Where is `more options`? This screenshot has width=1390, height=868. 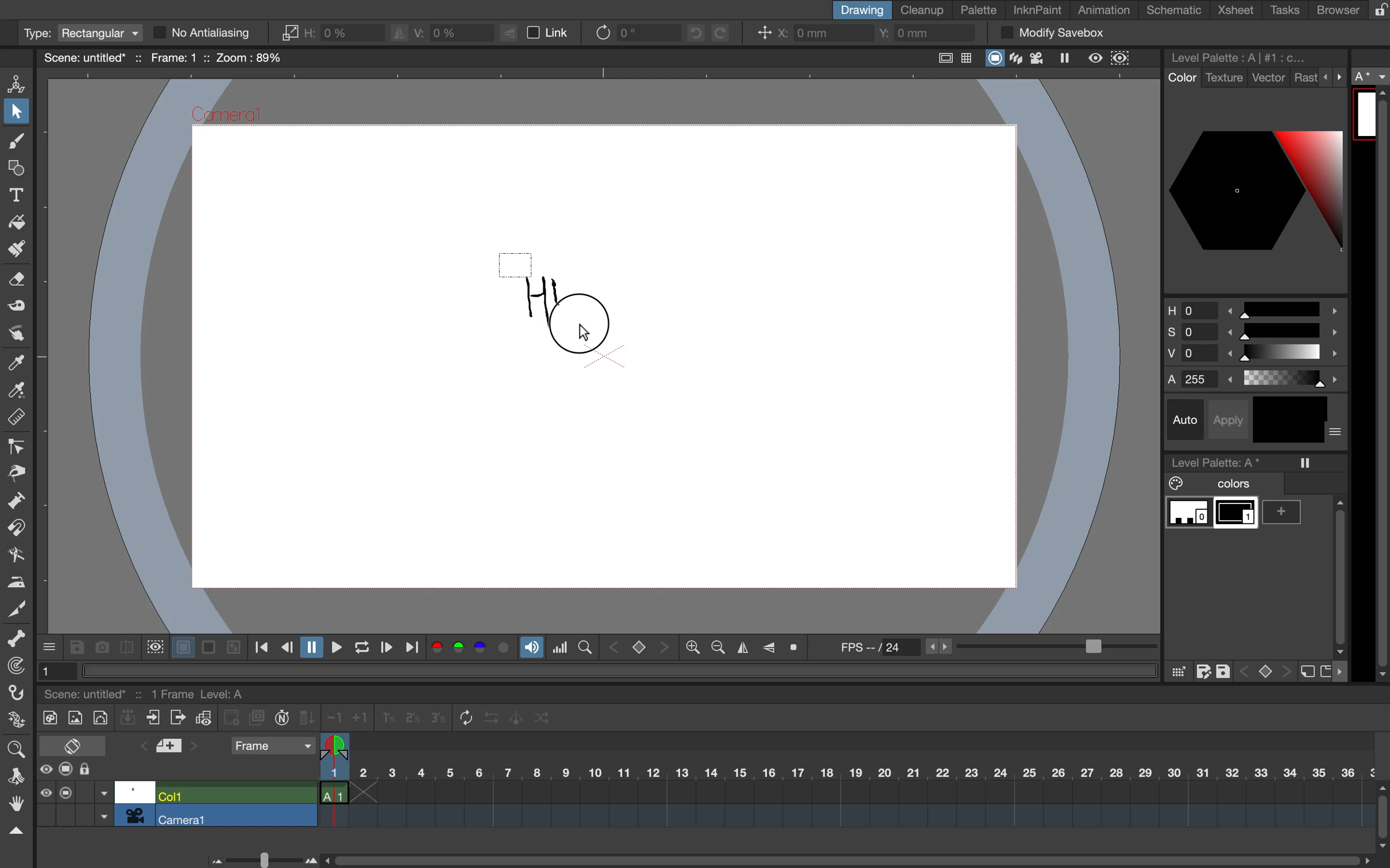 more options is located at coordinates (50, 646).